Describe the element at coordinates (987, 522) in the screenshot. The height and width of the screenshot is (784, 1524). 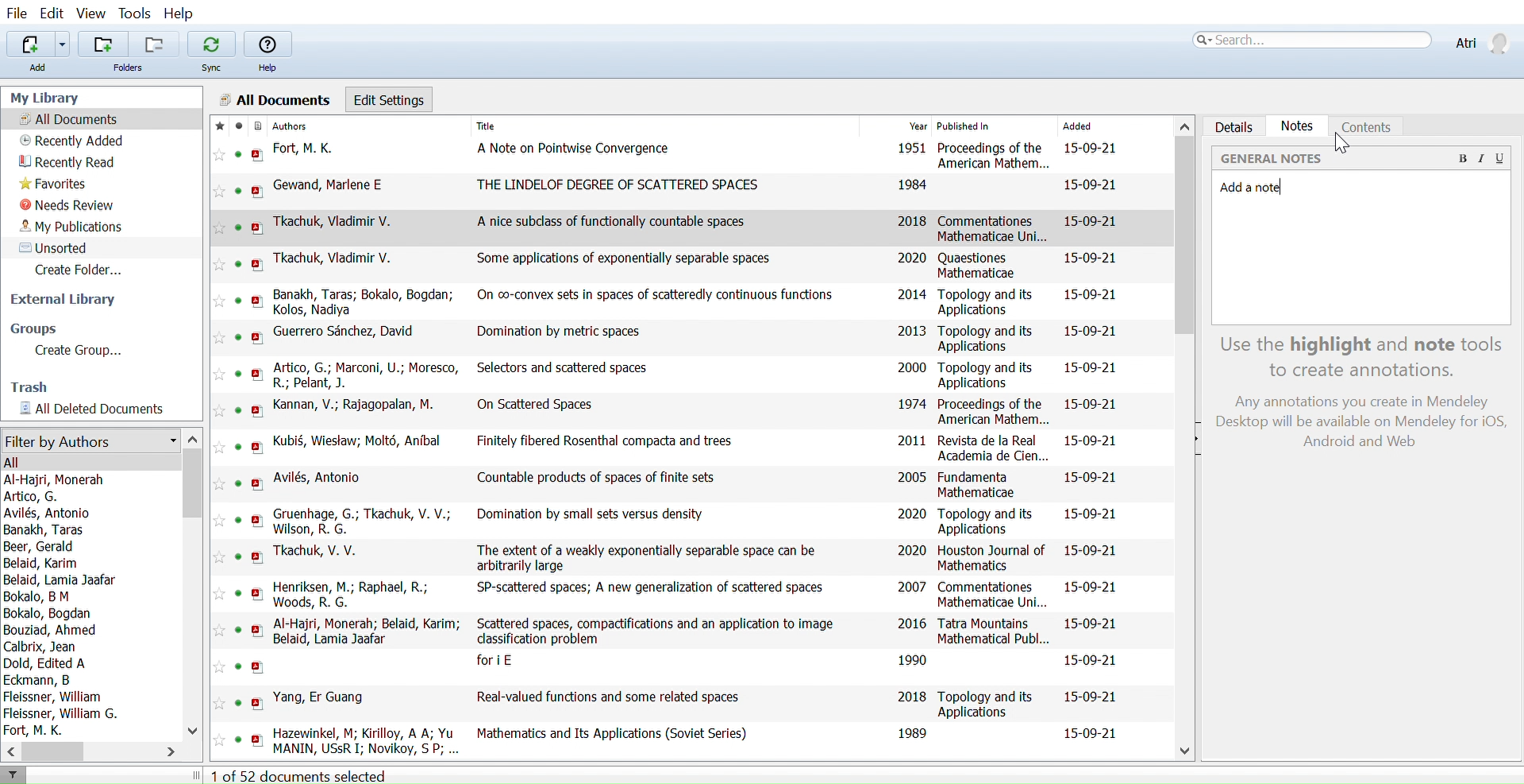
I see `Topology and its Applications` at that location.